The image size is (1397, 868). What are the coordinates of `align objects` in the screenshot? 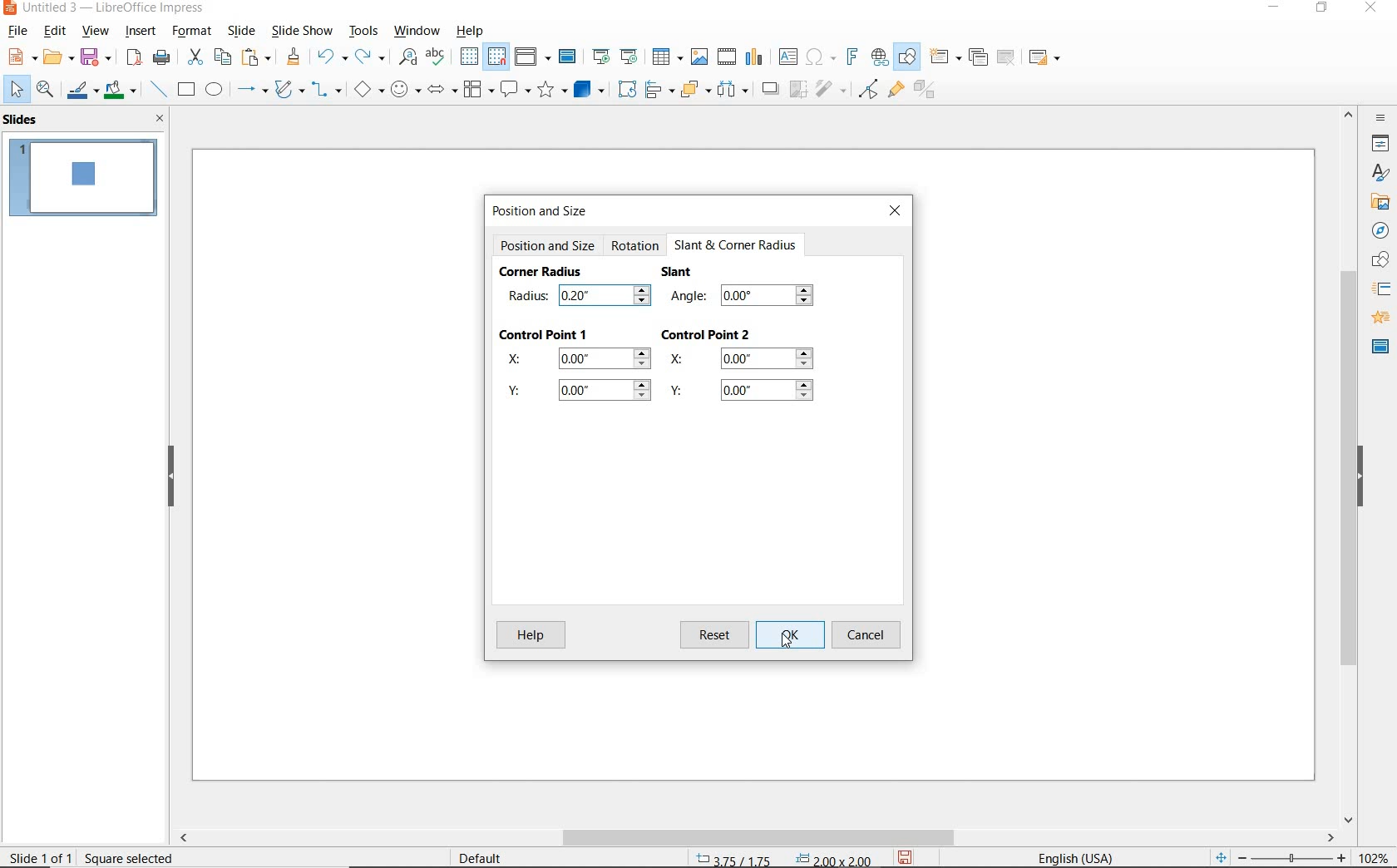 It's located at (659, 91).